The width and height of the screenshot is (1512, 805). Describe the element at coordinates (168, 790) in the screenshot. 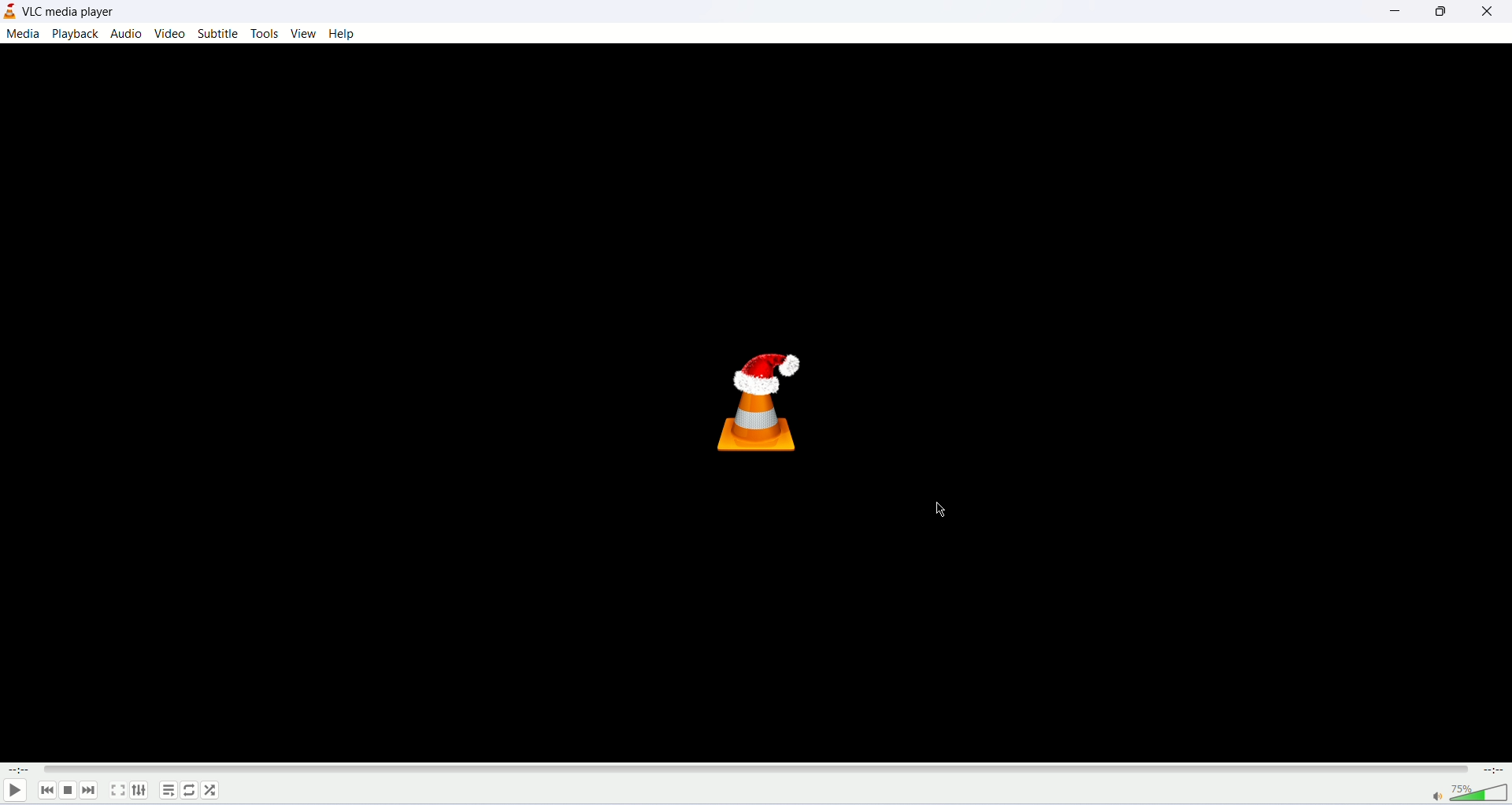

I see `playlist` at that location.